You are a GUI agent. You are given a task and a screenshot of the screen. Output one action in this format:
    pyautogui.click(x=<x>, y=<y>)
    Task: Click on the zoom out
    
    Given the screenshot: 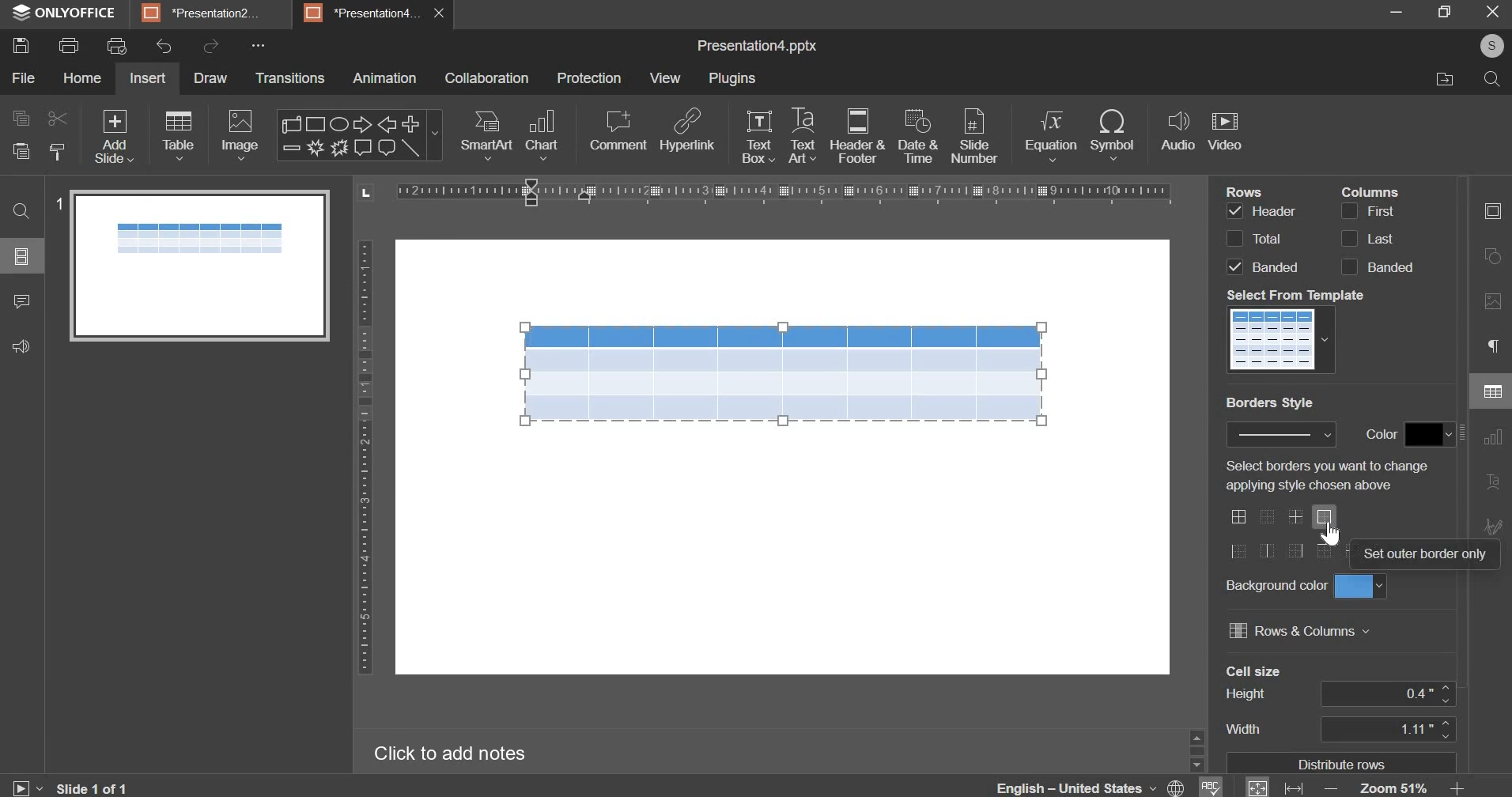 What is the action you would take?
    pyautogui.click(x=1332, y=789)
    